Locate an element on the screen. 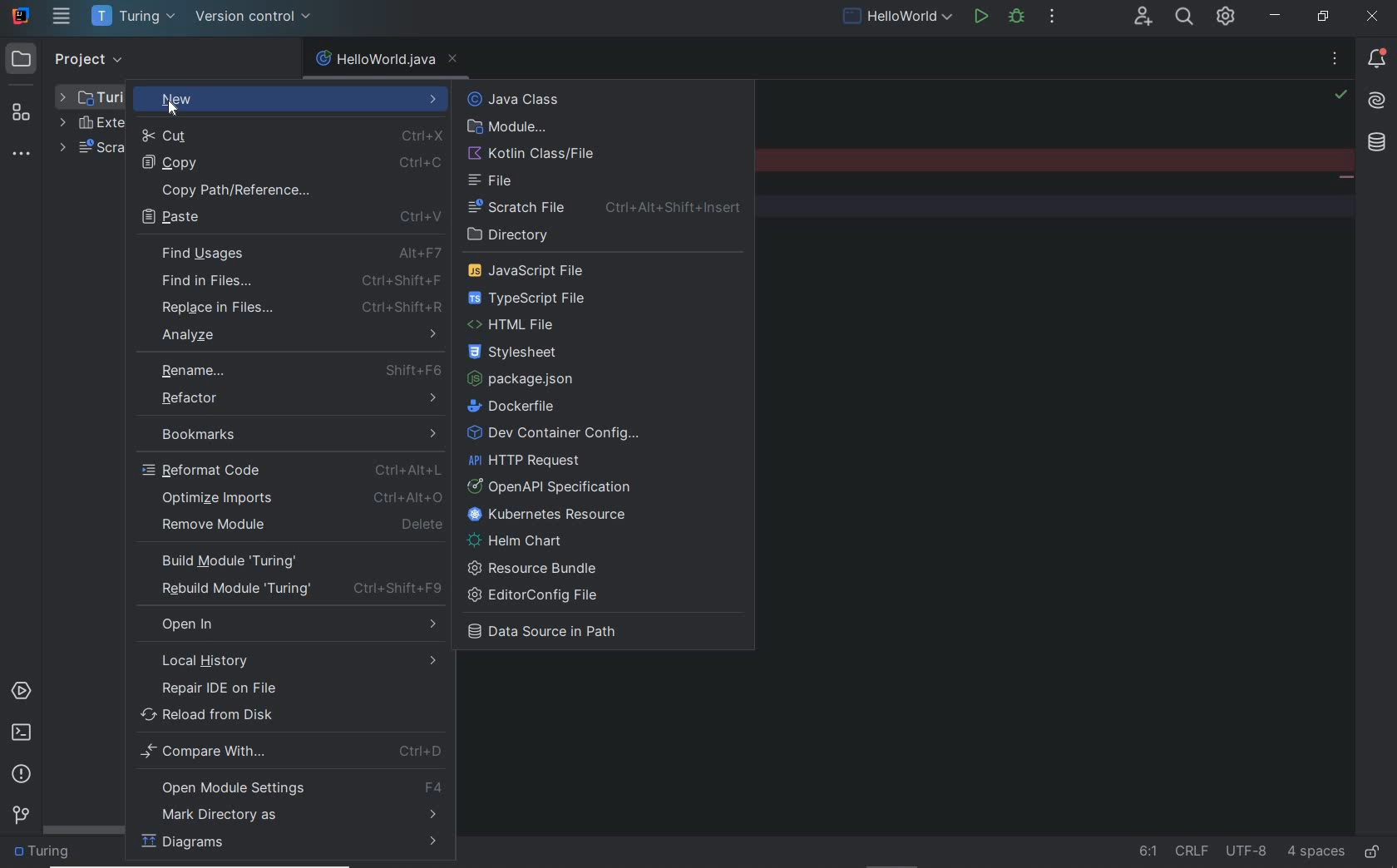  run is located at coordinates (981, 18).